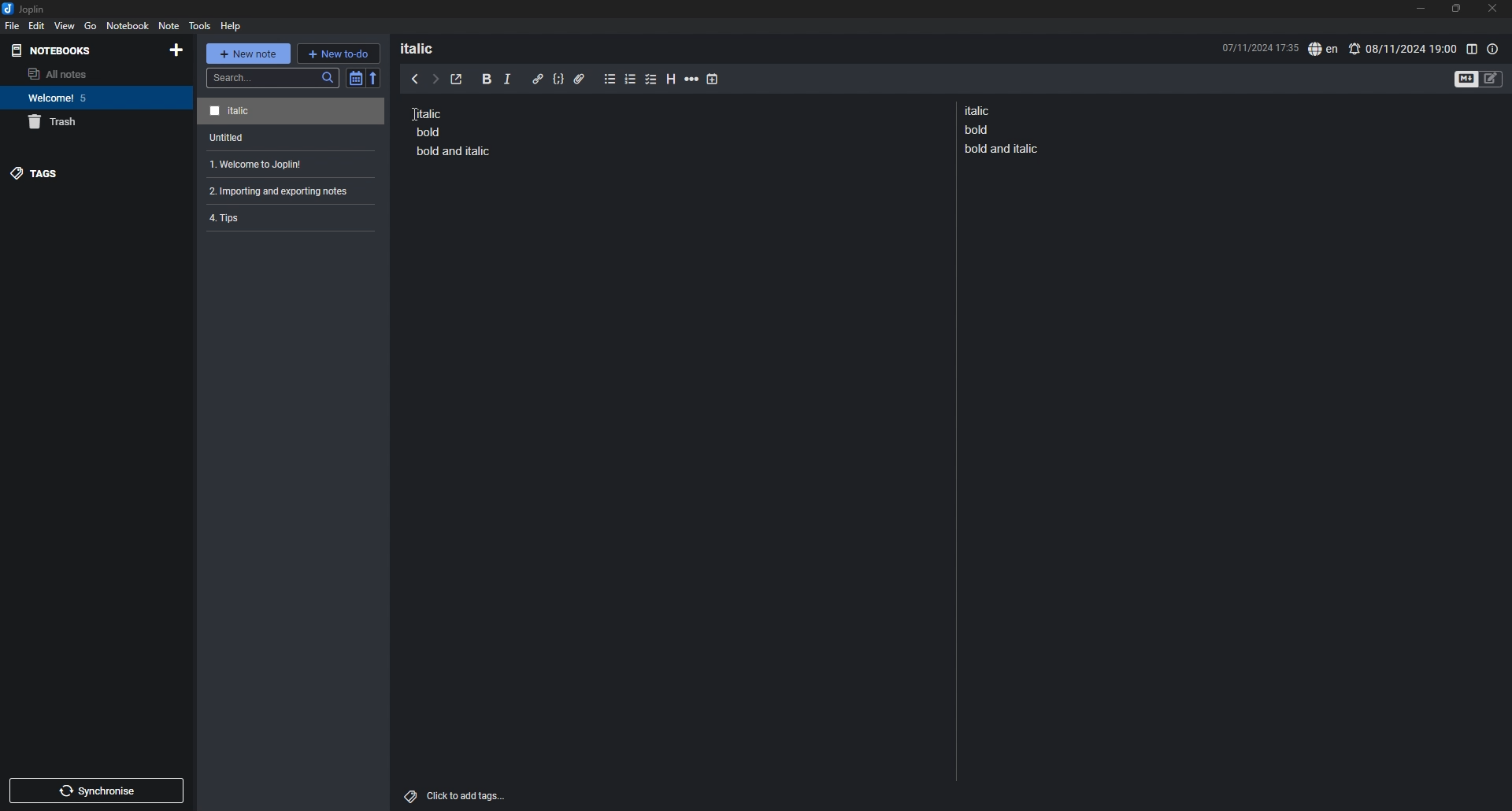  Describe the element at coordinates (175, 50) in the screenshot. I see `add notebook` at that location.